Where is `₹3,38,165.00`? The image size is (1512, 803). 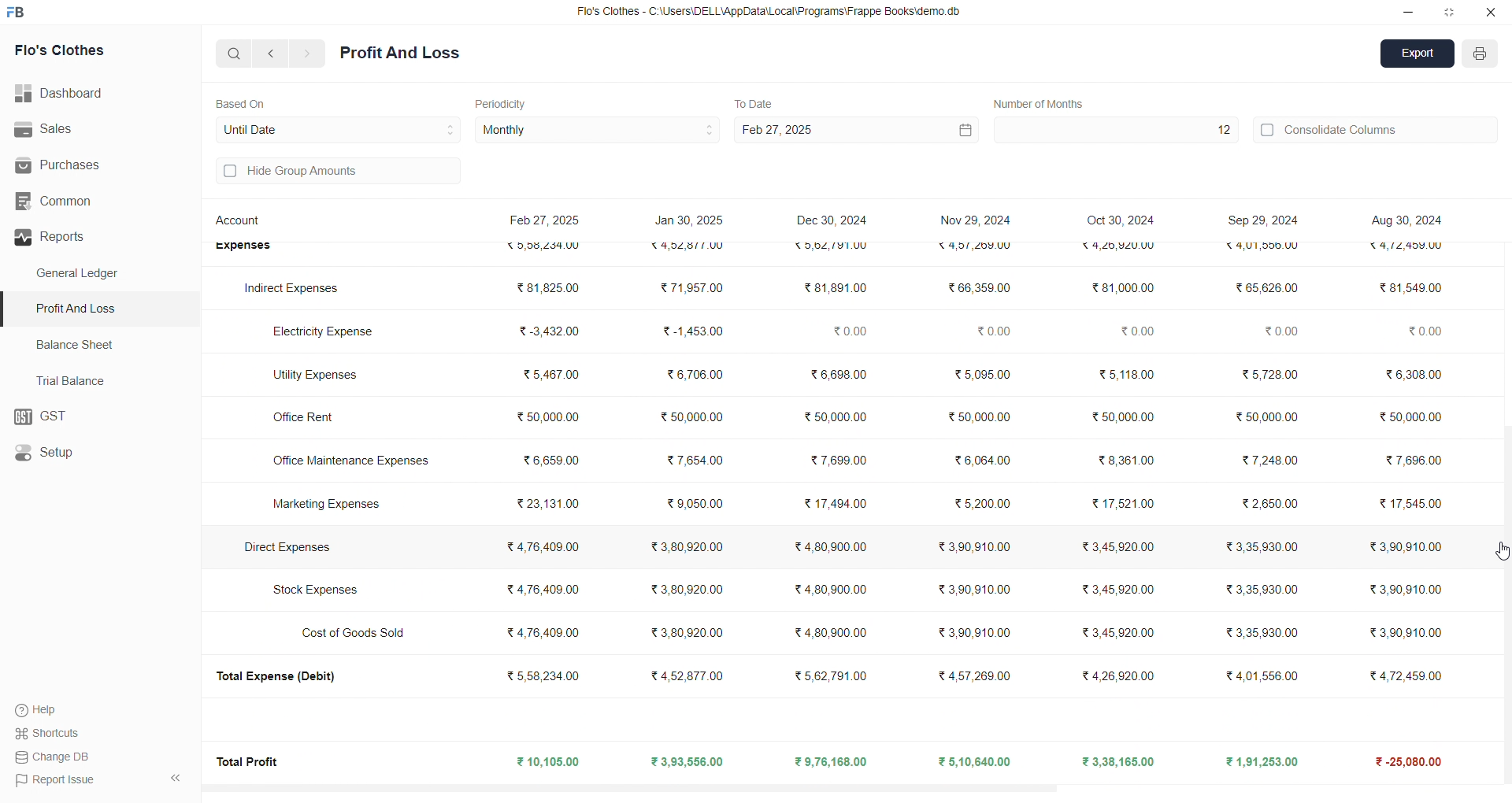 ₹3,38,165.00 is located at coordinates (1119, 762).